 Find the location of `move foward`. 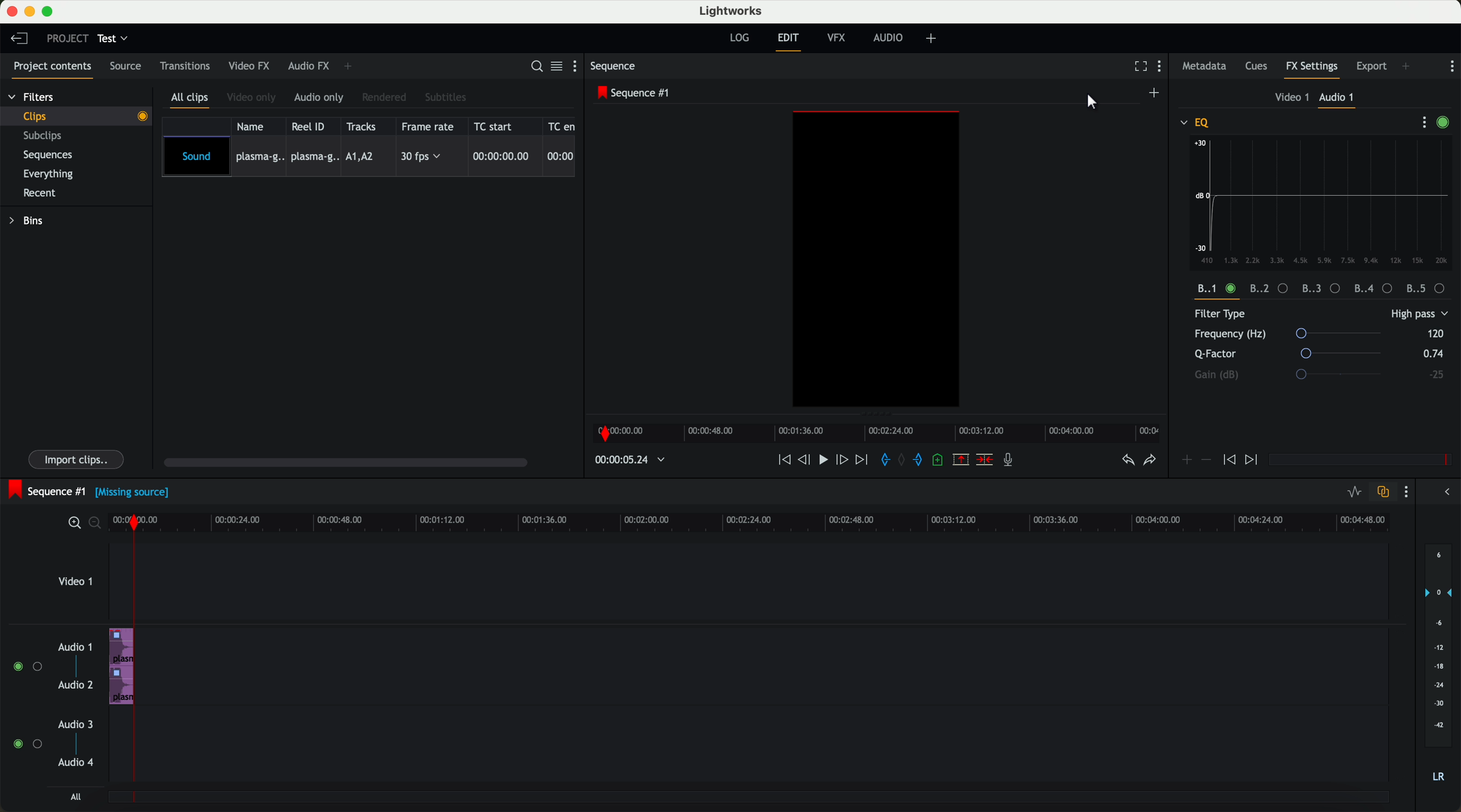

move foward is located at coordinates (863, 460).